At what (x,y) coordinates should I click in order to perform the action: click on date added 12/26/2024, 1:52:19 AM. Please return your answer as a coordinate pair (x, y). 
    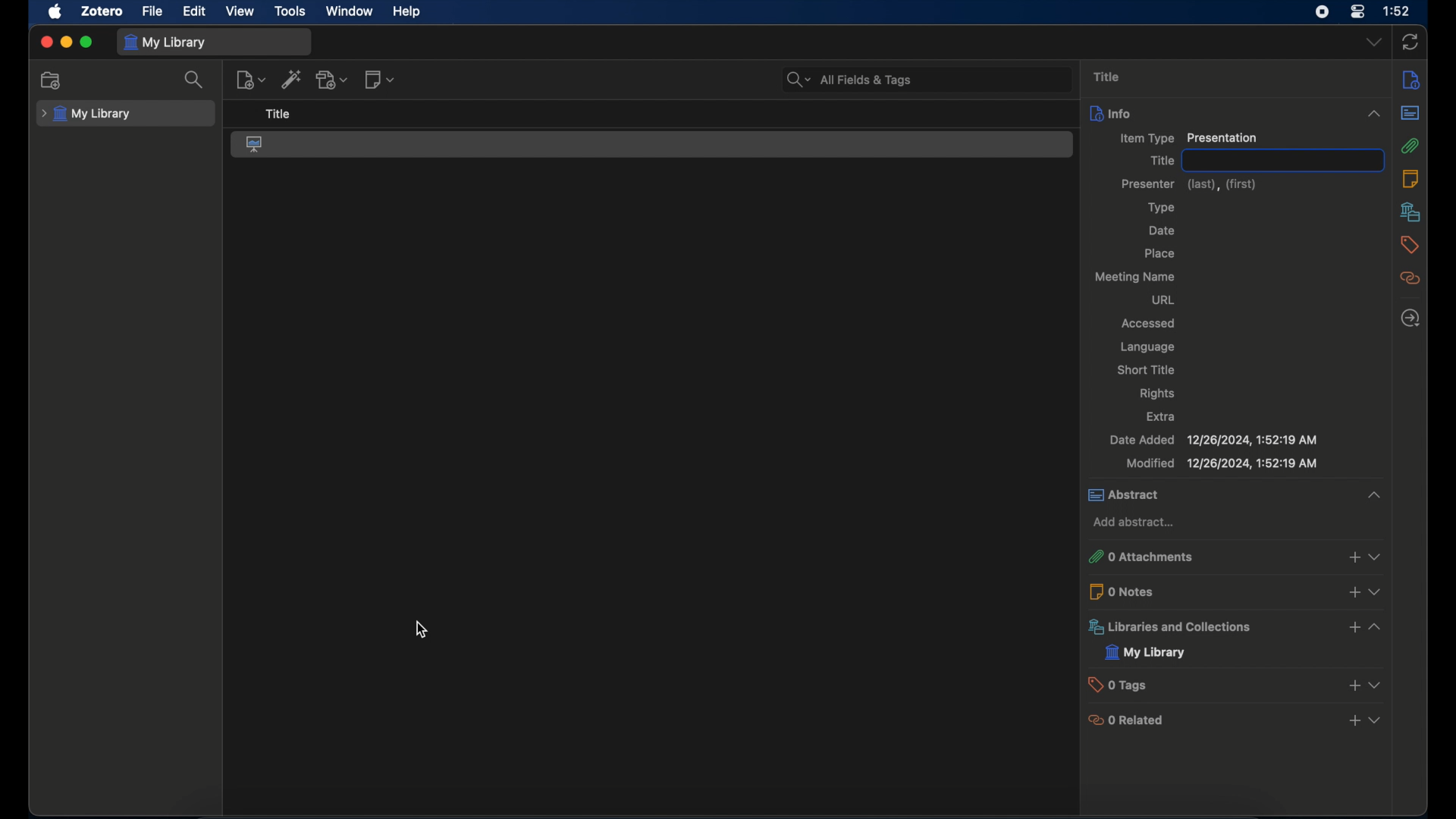
    Looking at the image, I should click on (1212, 440).